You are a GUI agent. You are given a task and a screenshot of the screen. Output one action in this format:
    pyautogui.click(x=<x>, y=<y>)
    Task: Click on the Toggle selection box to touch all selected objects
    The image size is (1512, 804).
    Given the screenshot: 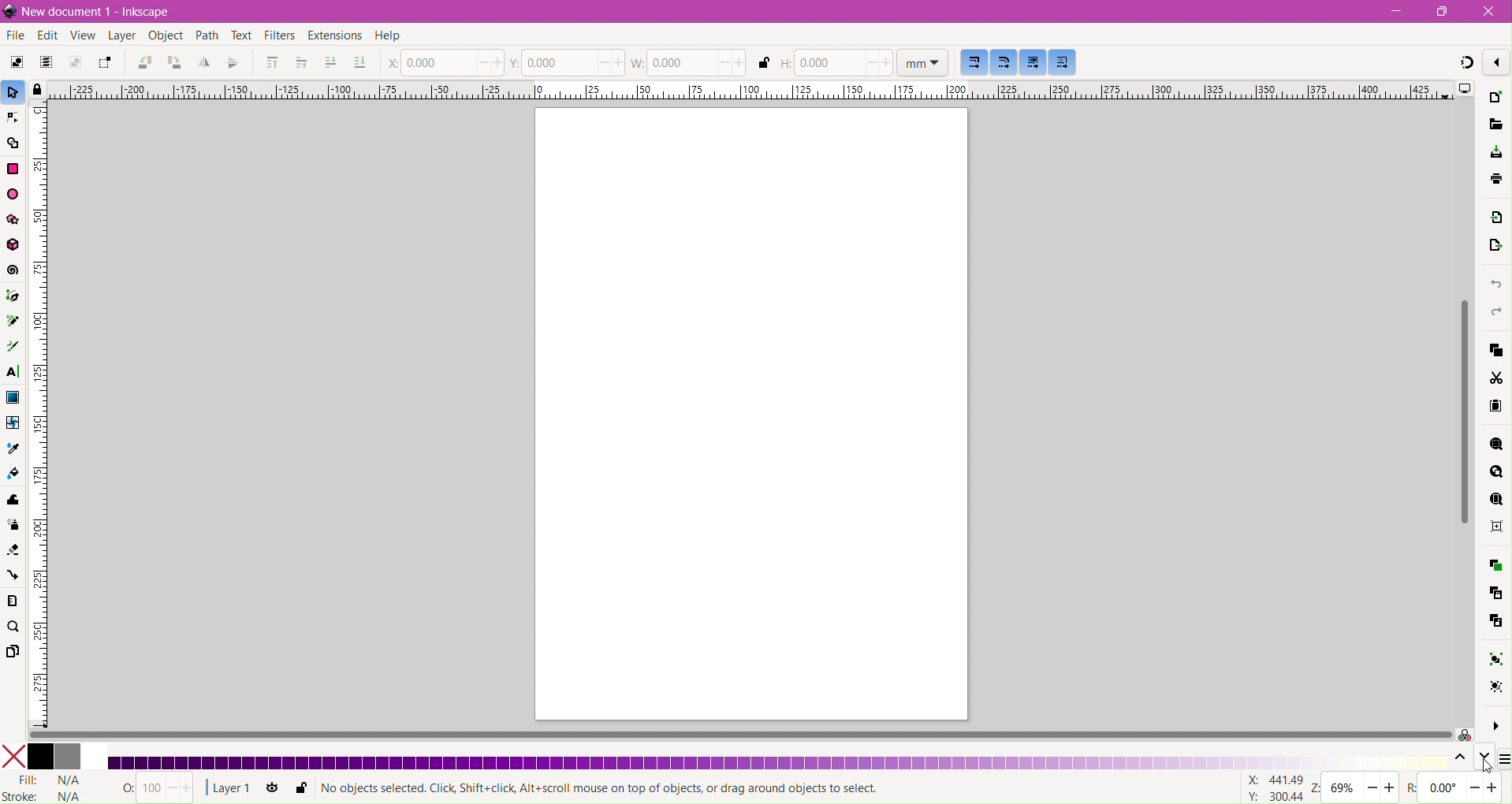 What is the action you would take?
    pyautogui.click(x=105, y=63)
    